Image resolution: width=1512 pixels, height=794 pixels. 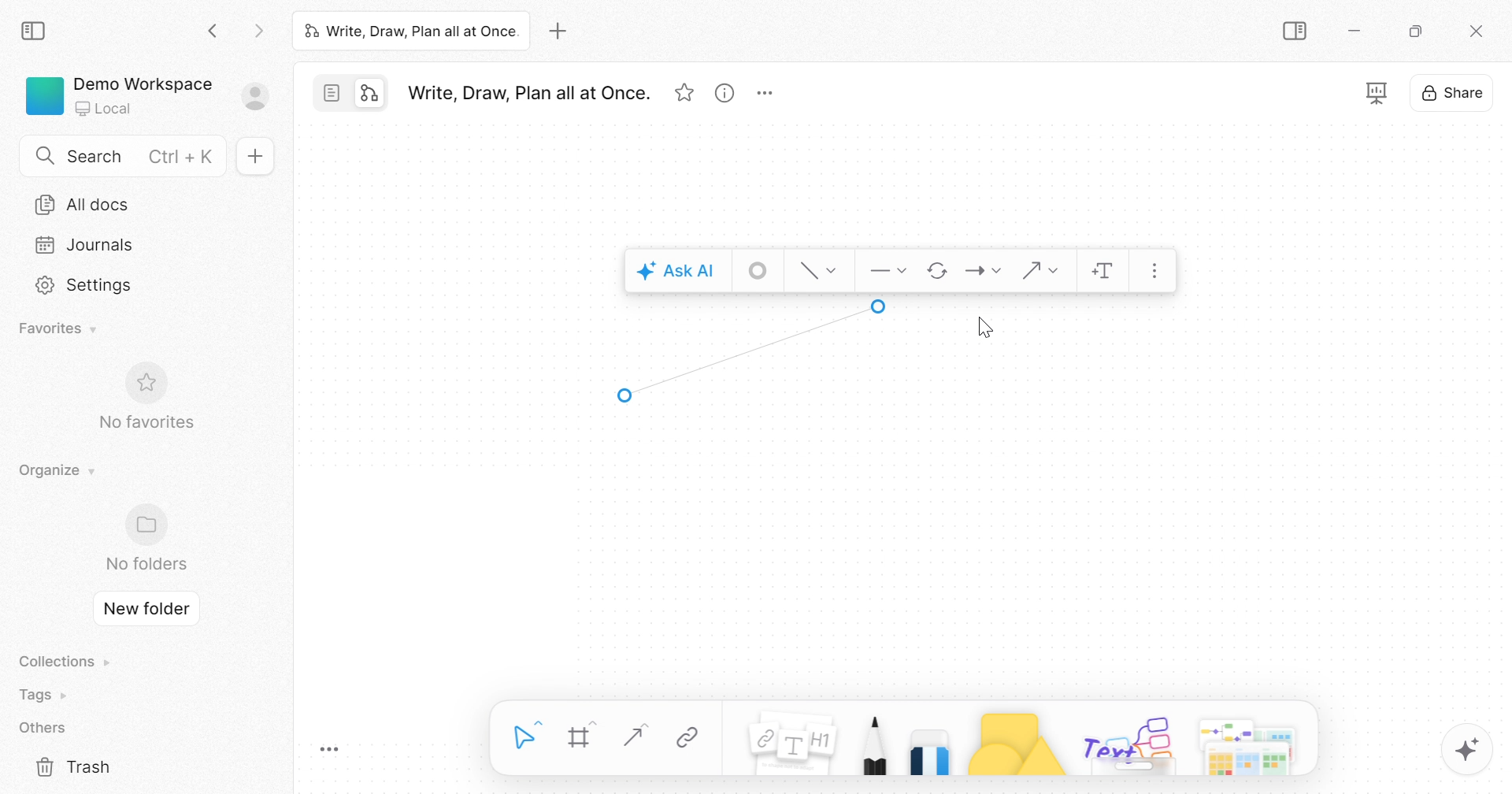 I want to click on End point style, so click(x=984, y=274).